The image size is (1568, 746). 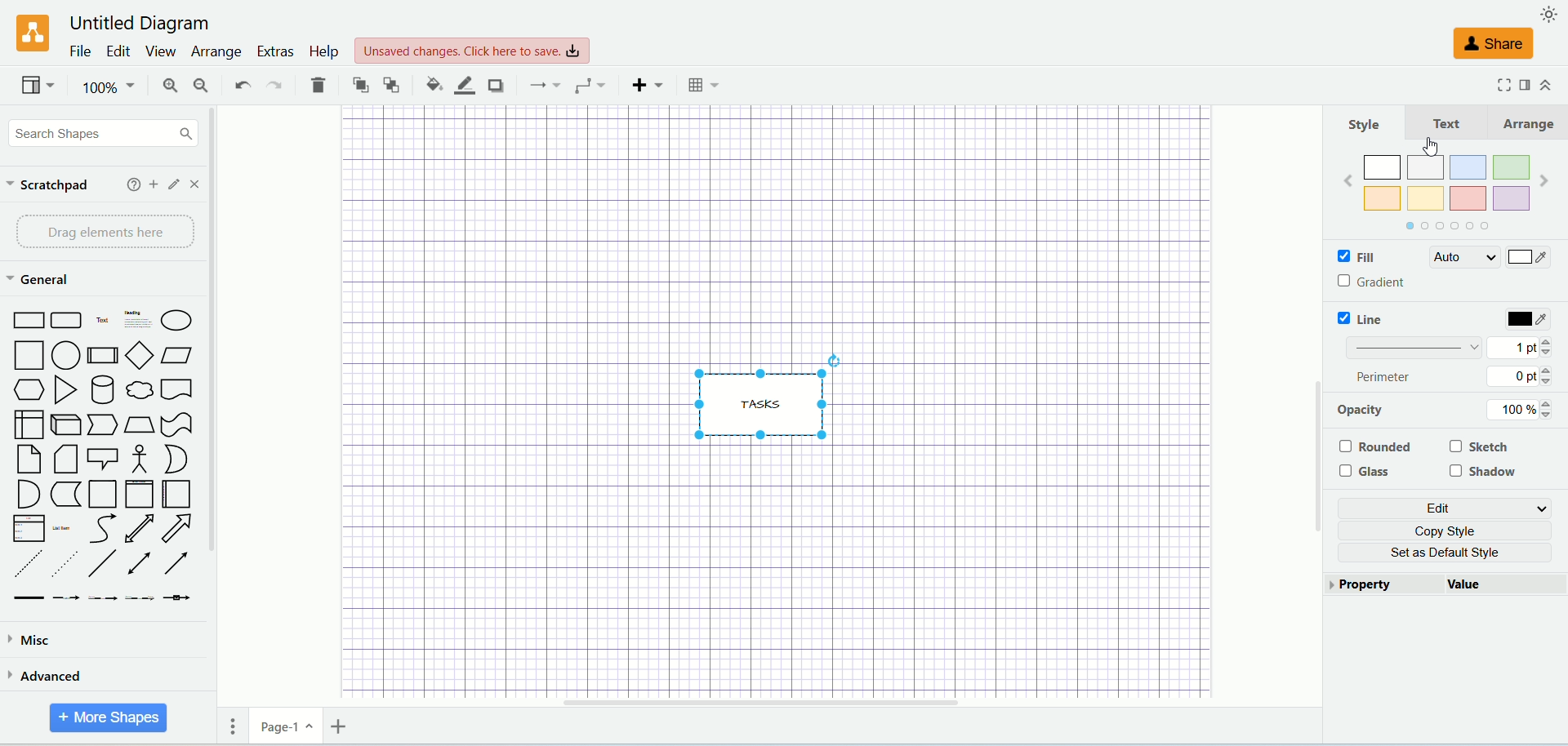 What do you see at coordinates (106, 87) in the screenshot?
I see `100%` at bounding box center [106, 87].